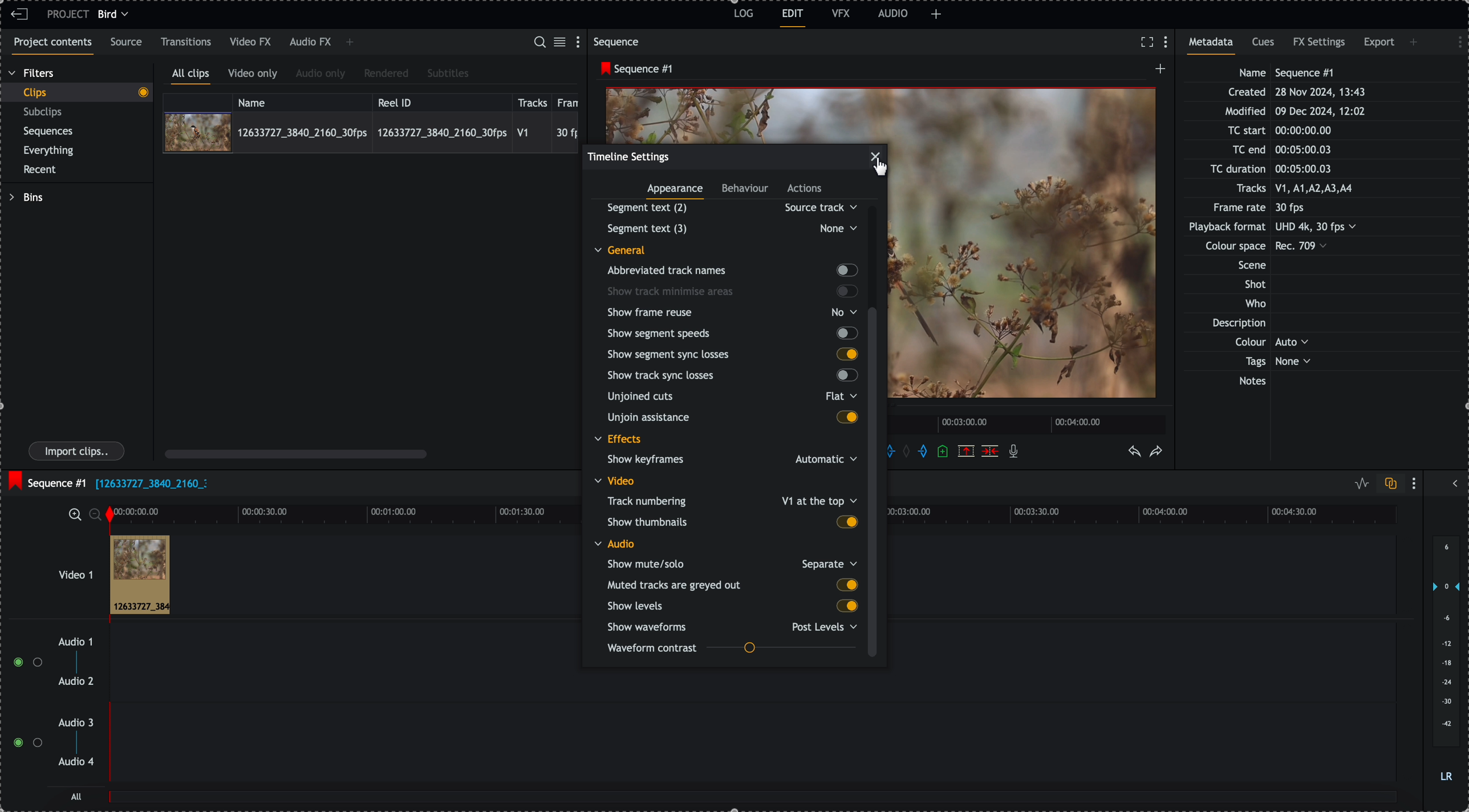 This screenshot has height=812, width=1469. I want to click on add a cue at the current position, so click(944, 452).